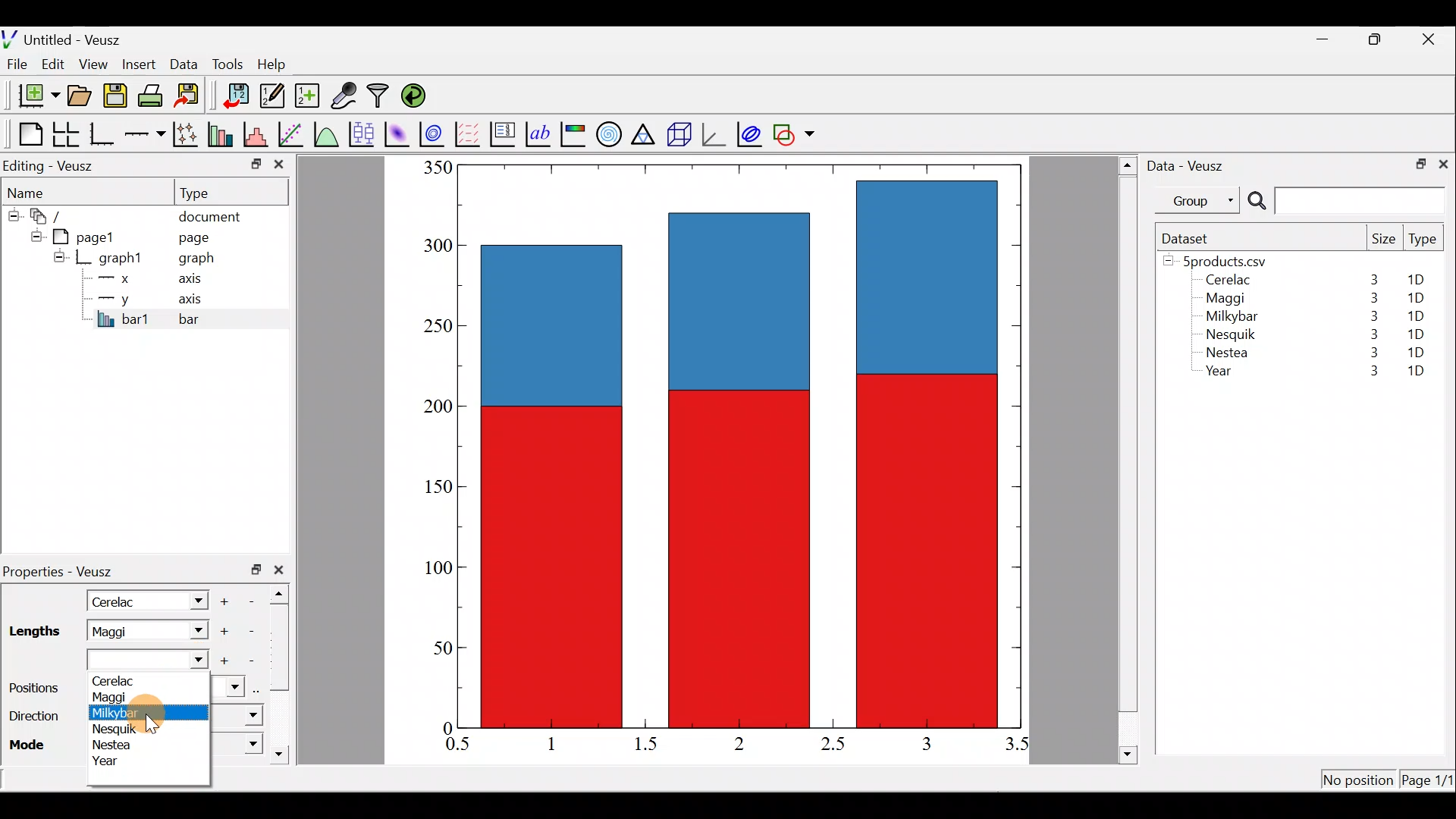 This screenshot has width=1456, height=819. I want to click on document widget, so click(54, 214).